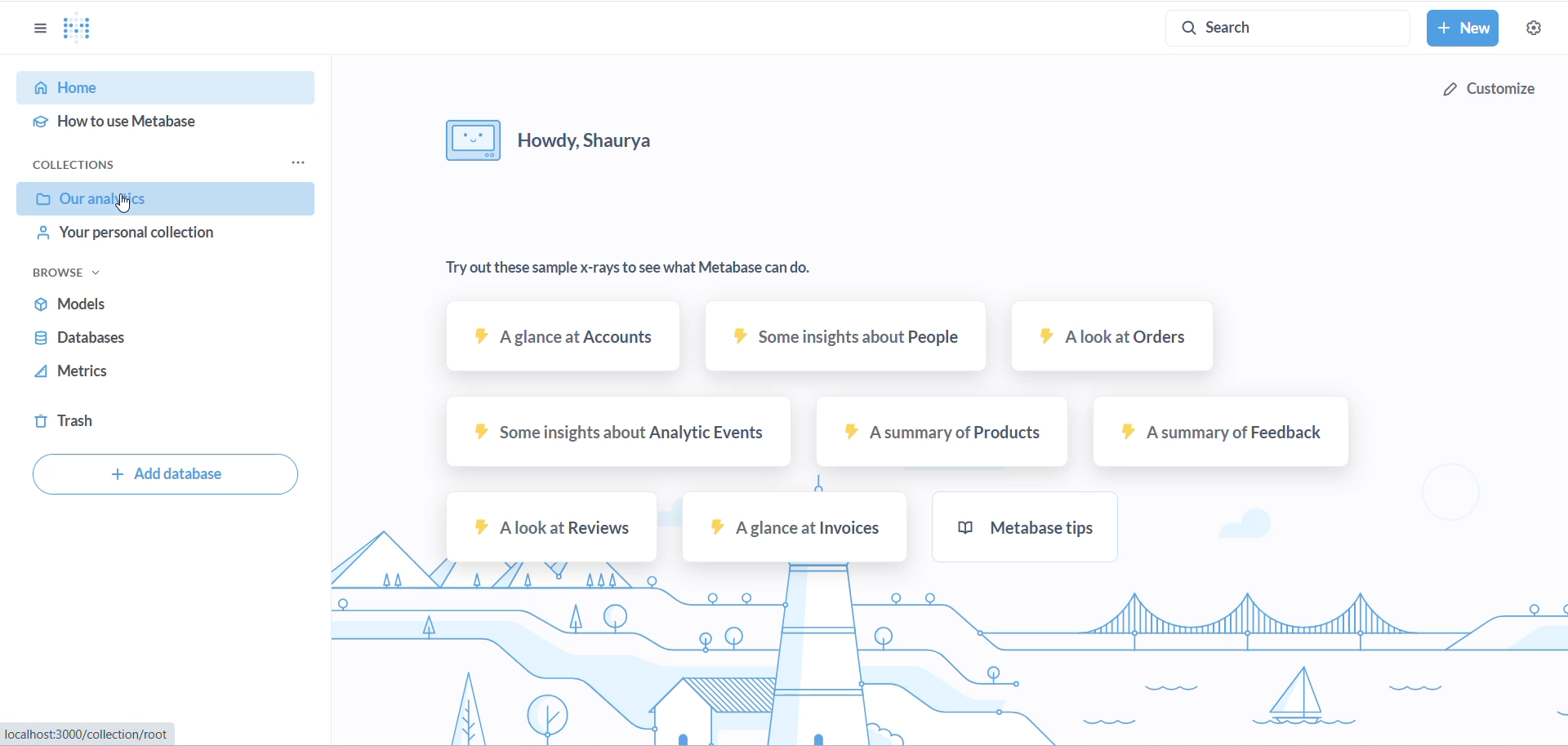 This screenshot has height=746, width=1568. Describe the element at coordinates (165, 473) in the screenshot. I see `add database` at that location.